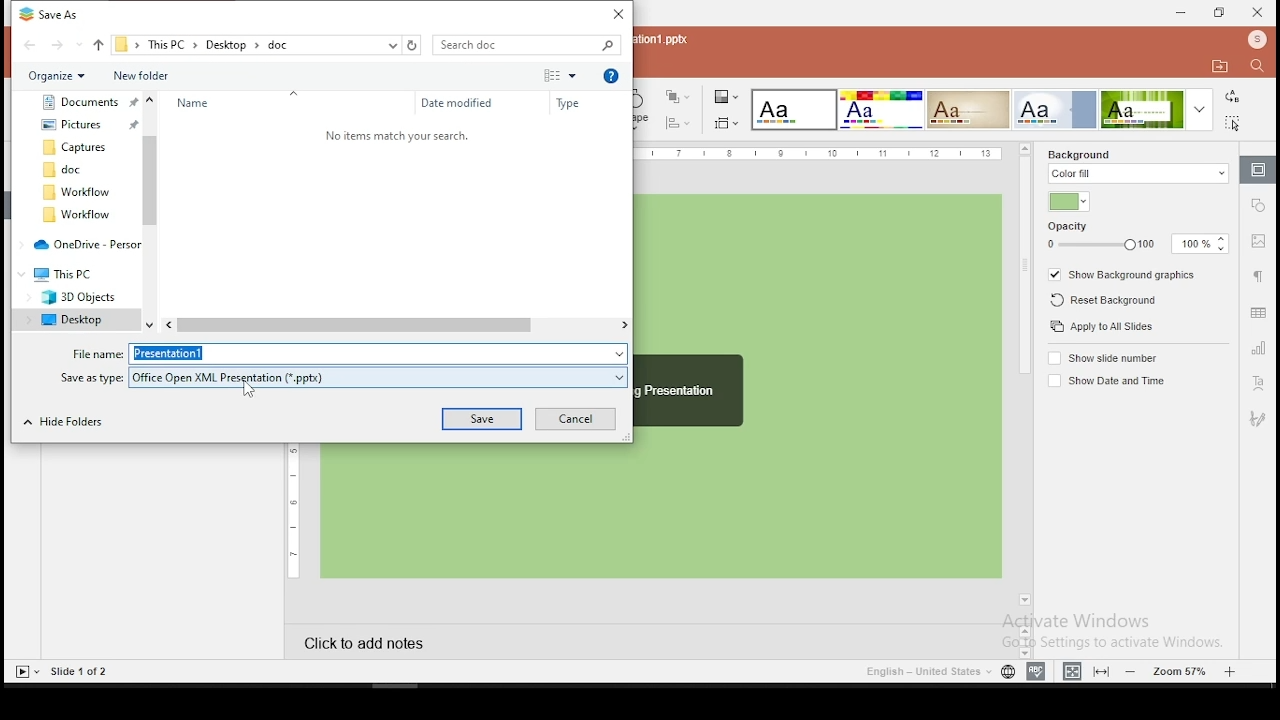  I want to click on Date Modified, so click(457, 102).